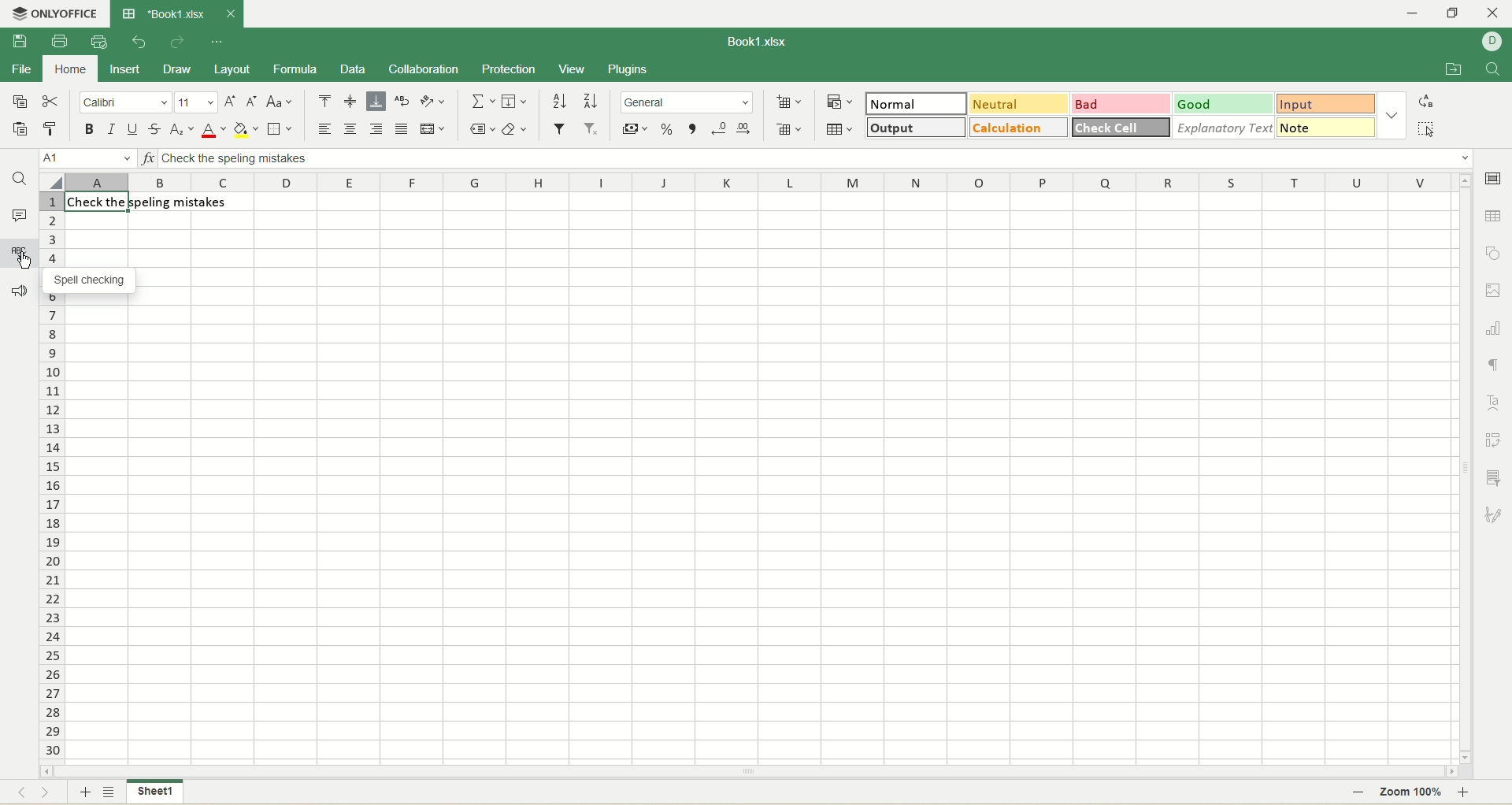  Describe the element at coordinates (138, 42) in the screenshot. I see `undo` at that location.